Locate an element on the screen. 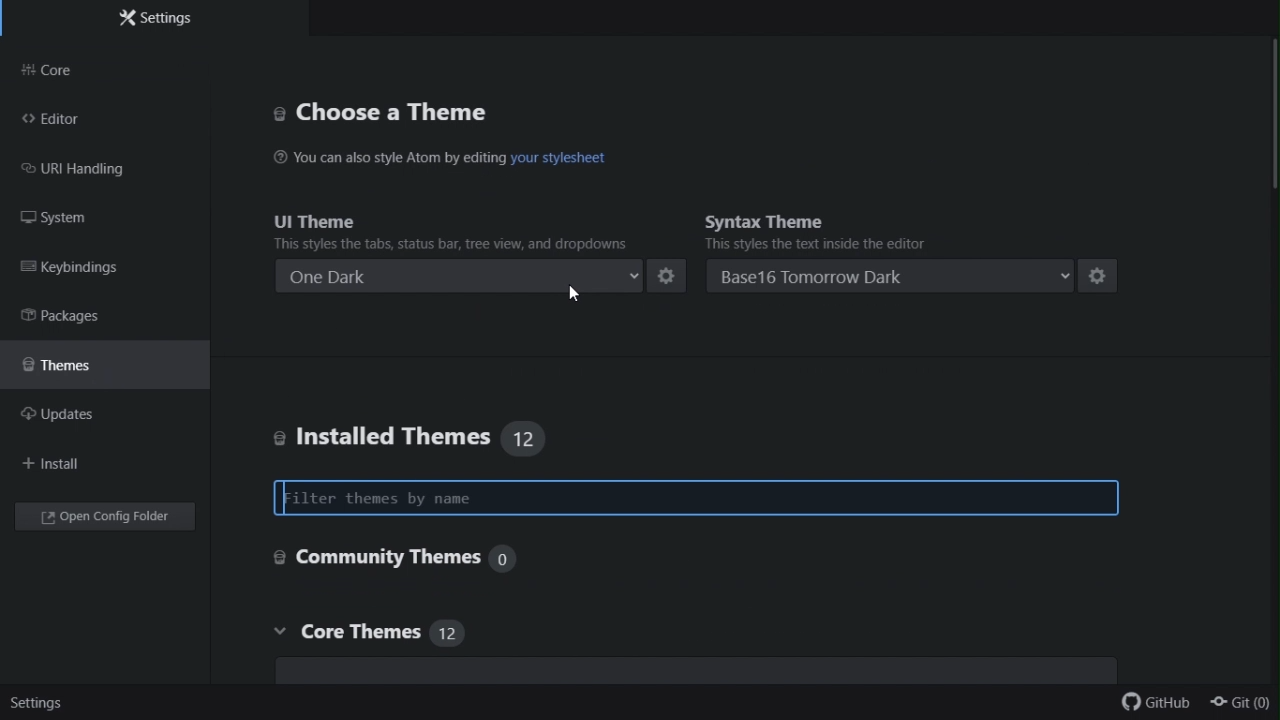  Choose a theme  is located at coordinates (431, 110).